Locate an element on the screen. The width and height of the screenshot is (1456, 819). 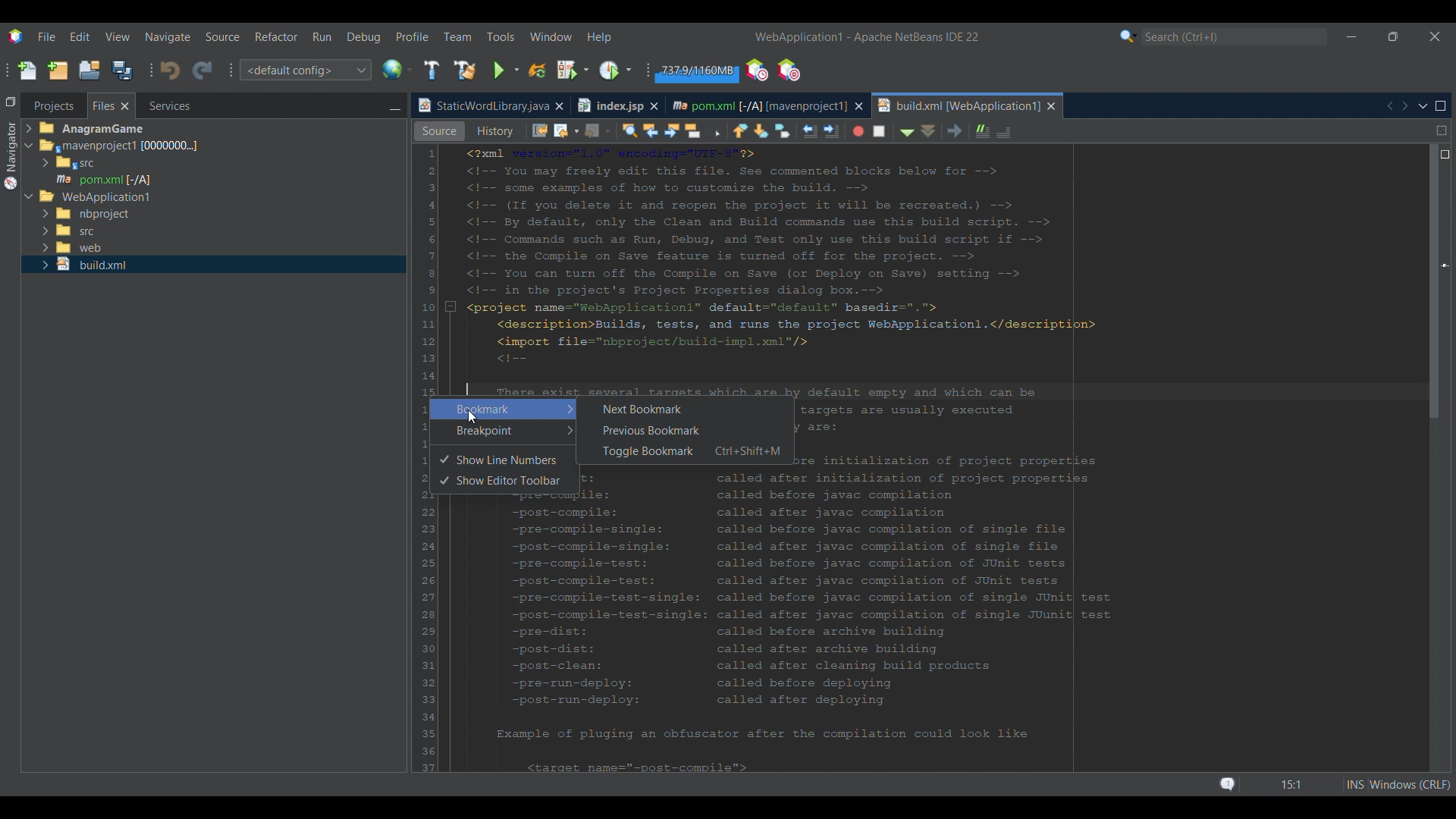
Start macro recording is located at coordinates (993, 132).